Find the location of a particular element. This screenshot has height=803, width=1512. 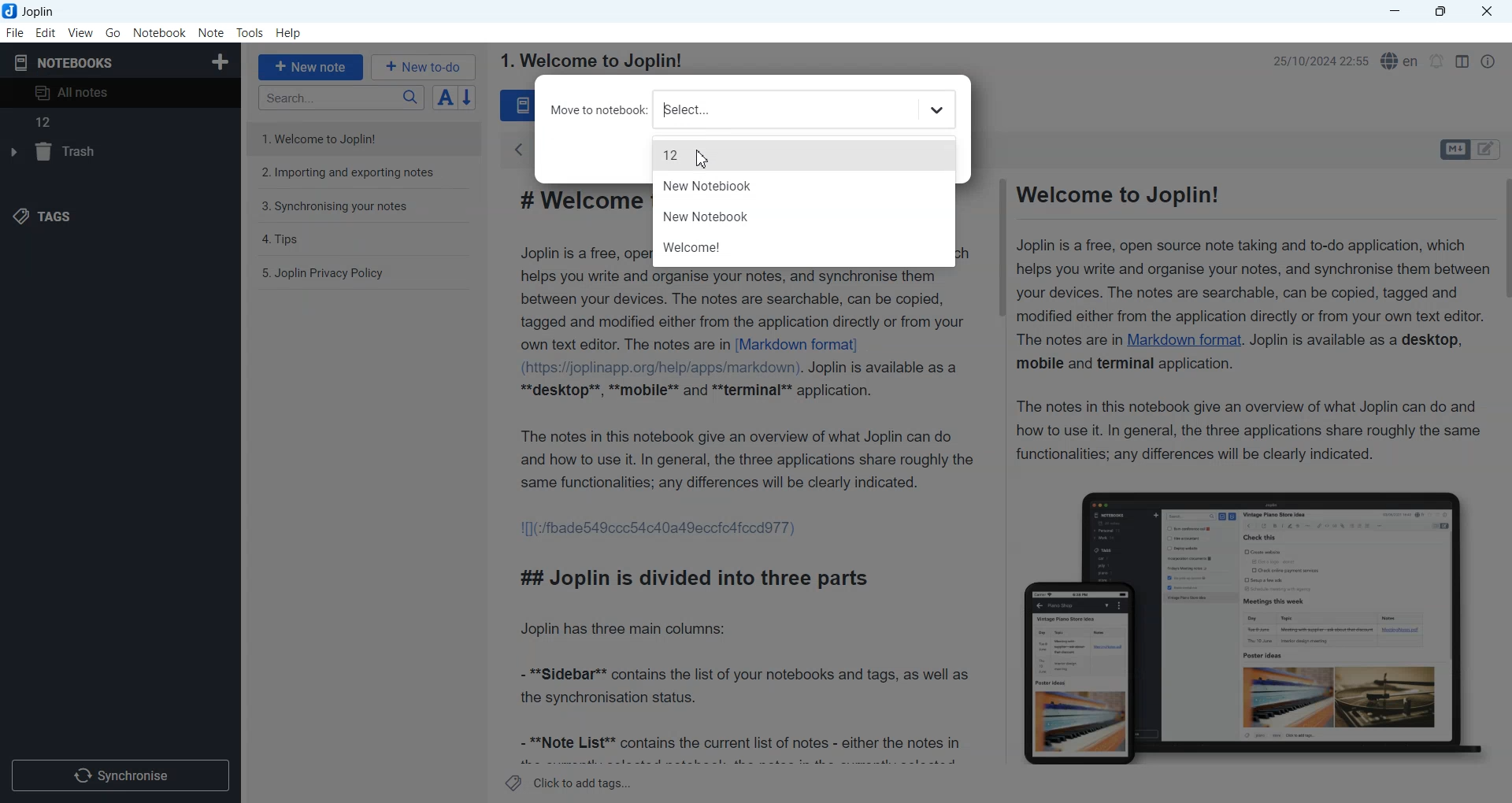

Toggle editors is located at coordinates (1454, 150).